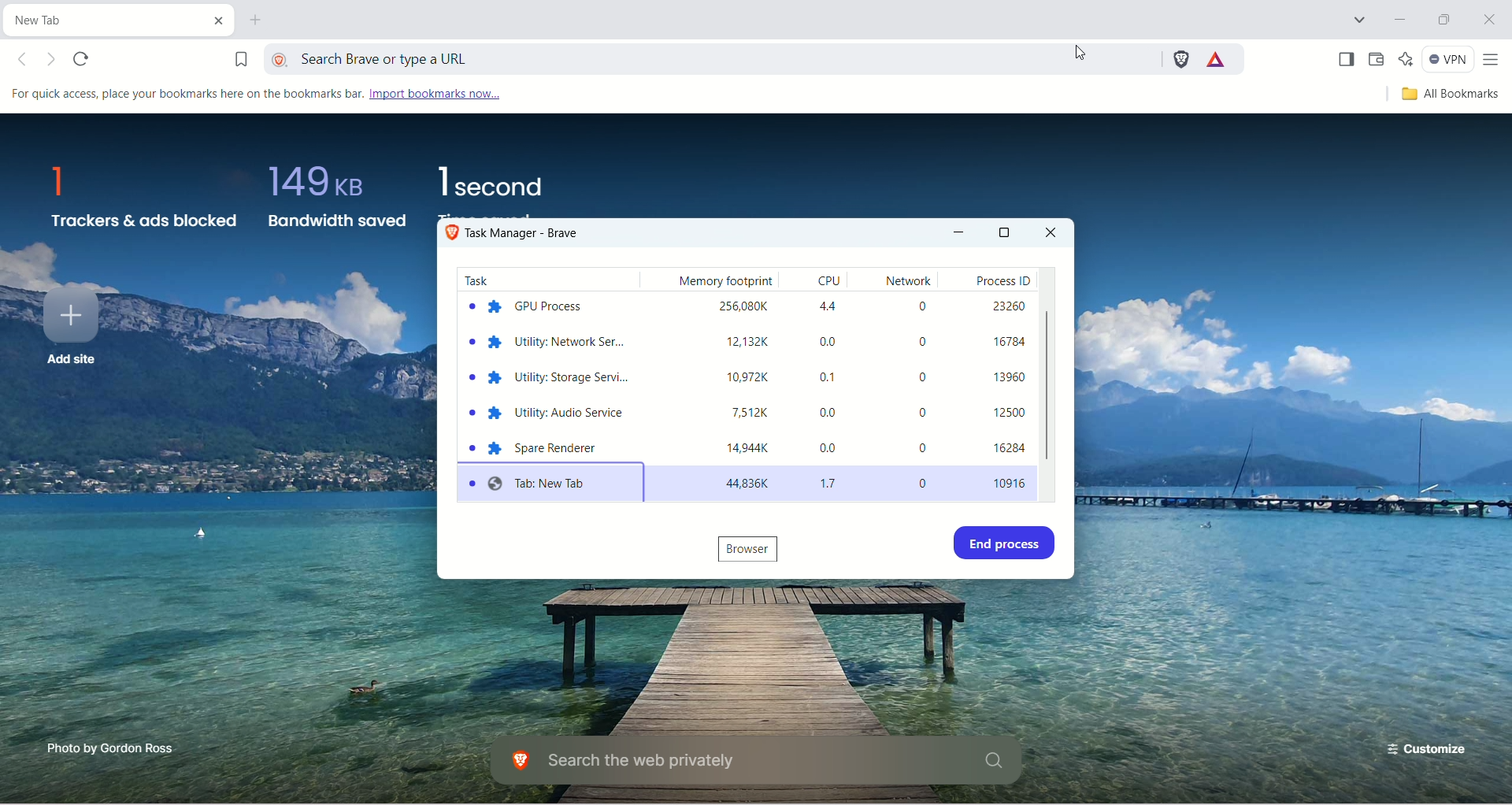  What do you see at coordinates (1180, 59) in the screenshot?
I see `Brave shield` at bounding box center [1180, 59].